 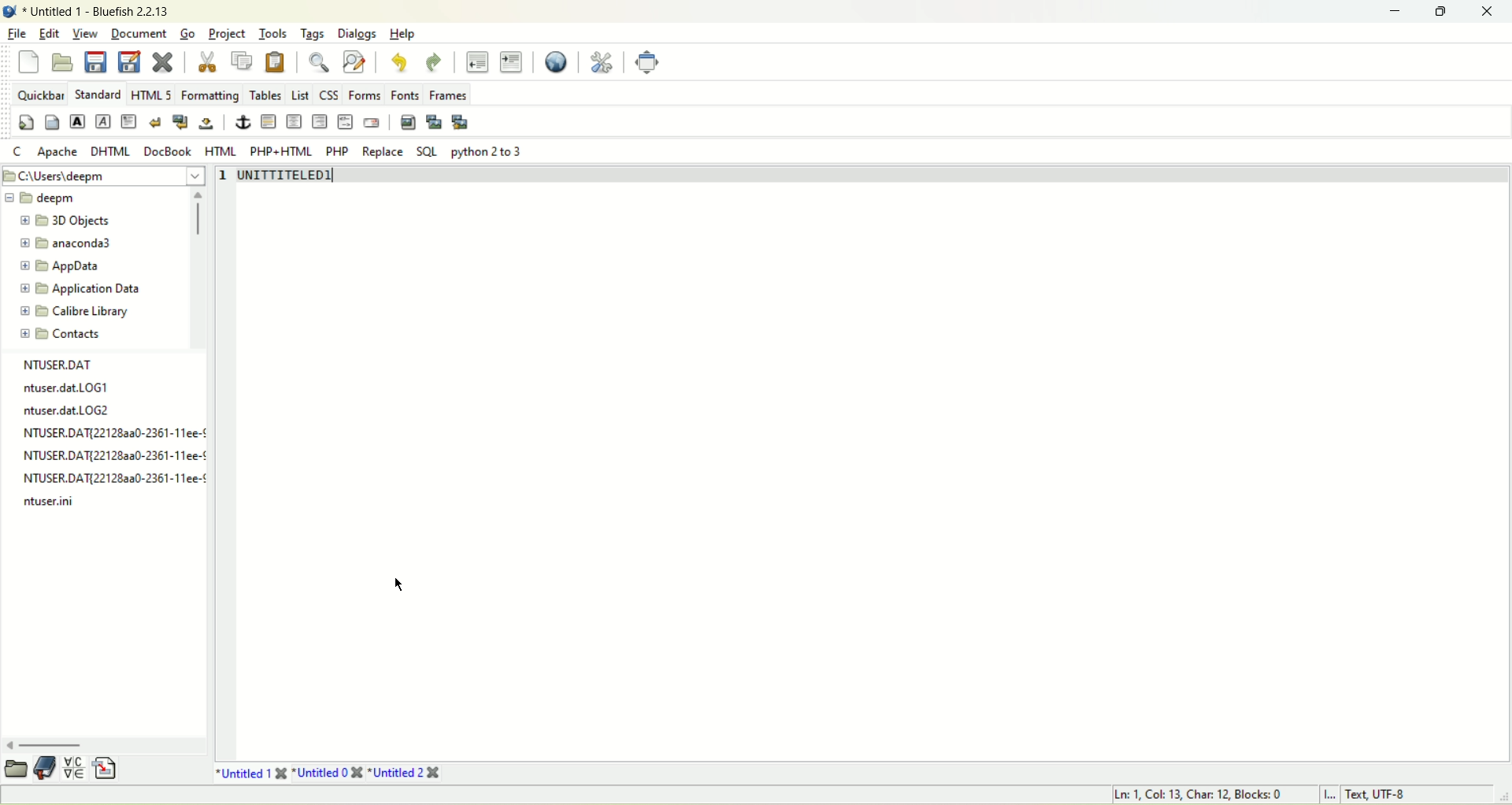 I want to click on html 5, so click(x=150, y=92).